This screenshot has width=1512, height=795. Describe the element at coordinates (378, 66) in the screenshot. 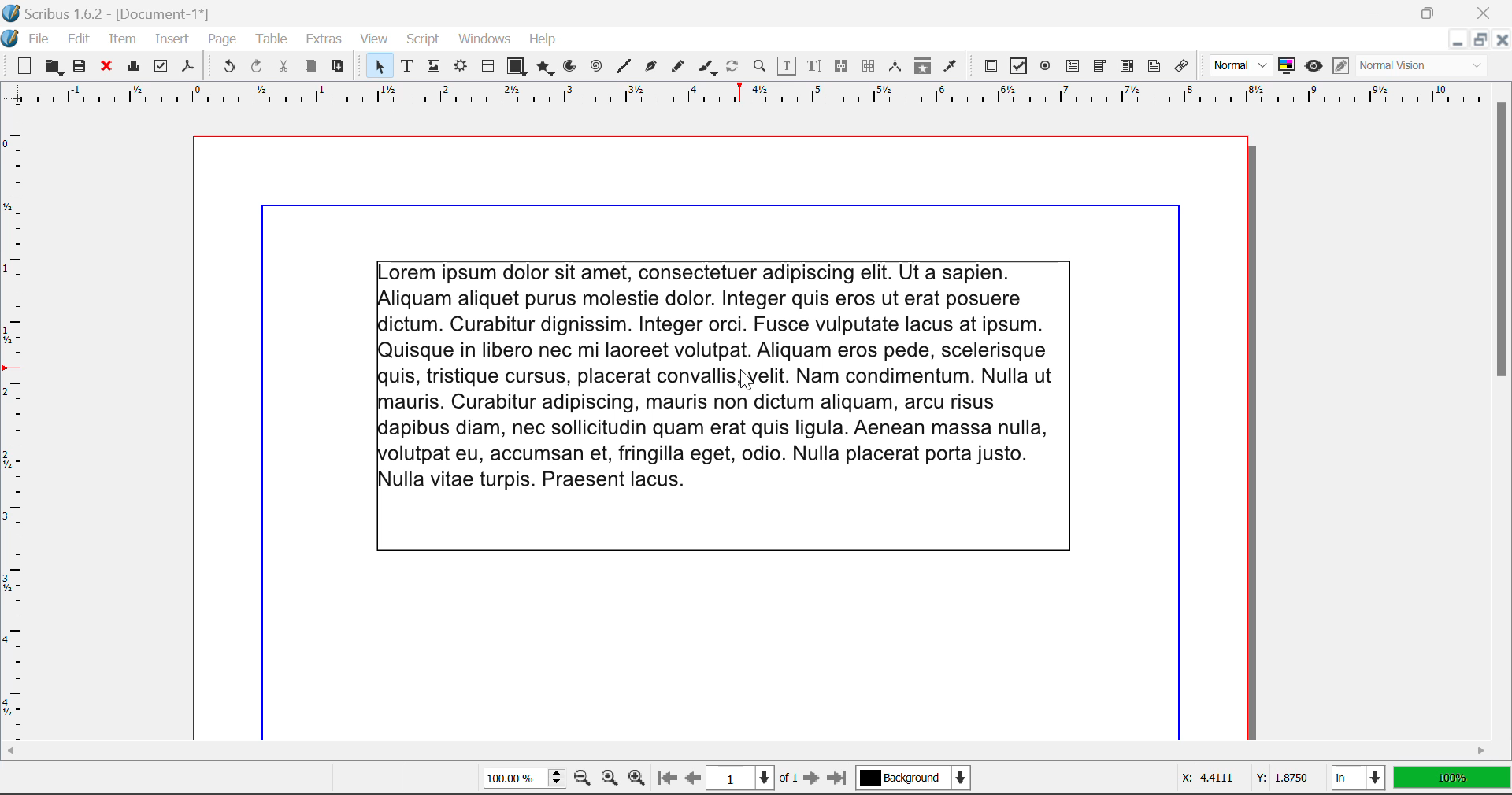

I see `Select` at that location.